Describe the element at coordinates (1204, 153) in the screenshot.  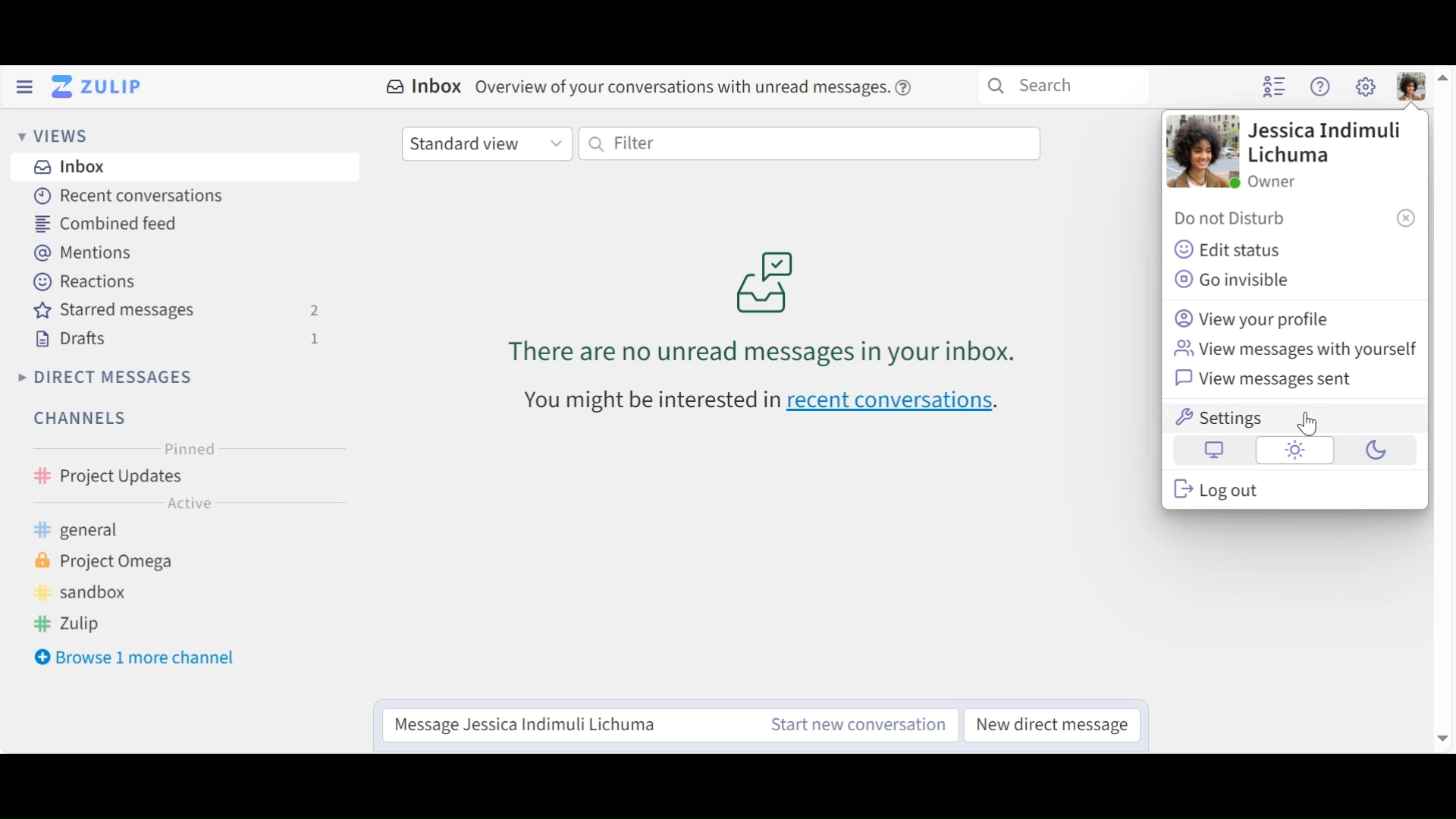
I see `Profile photo` at that location.